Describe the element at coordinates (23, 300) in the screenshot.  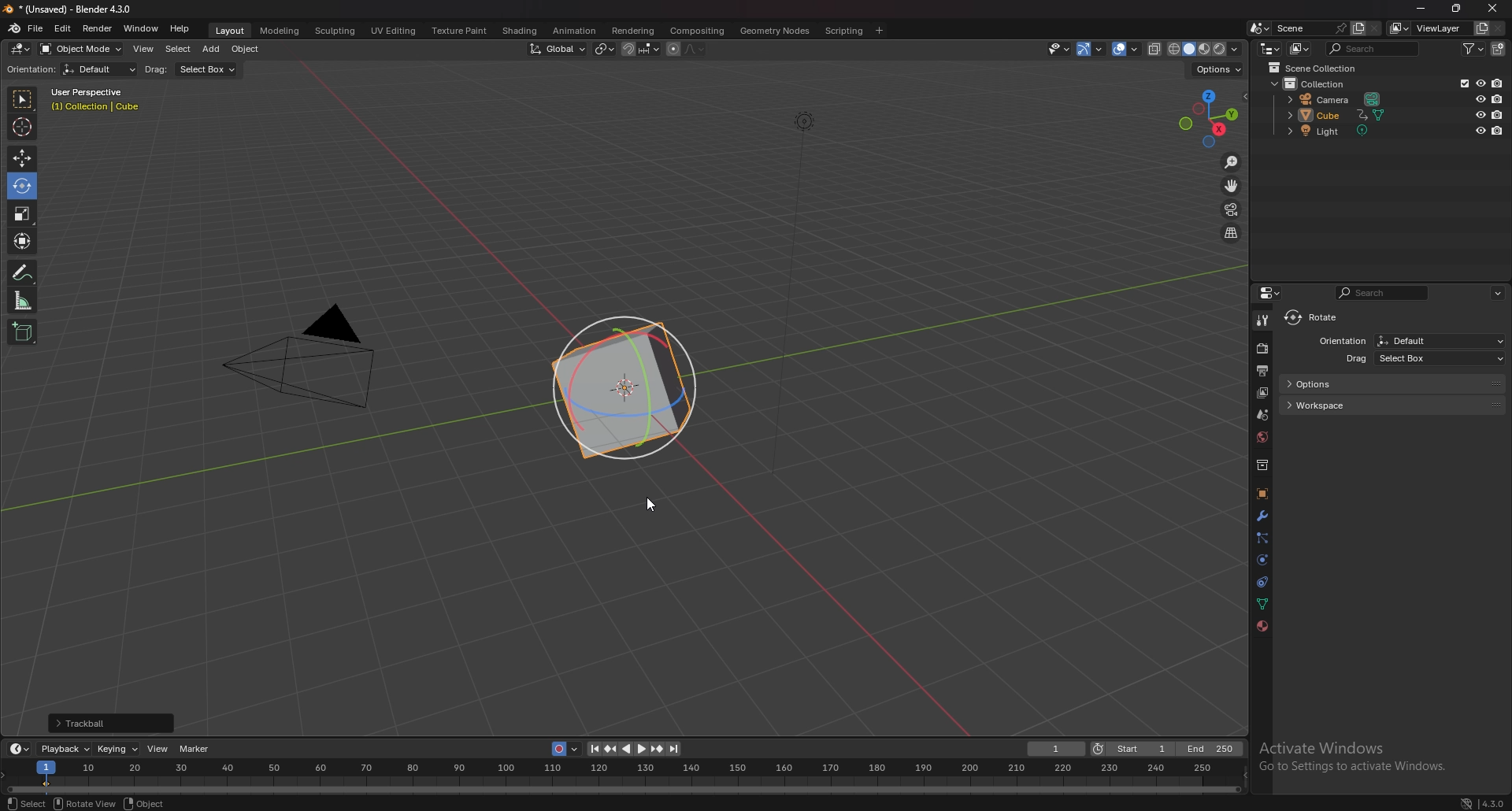
I see `measure` at that location.